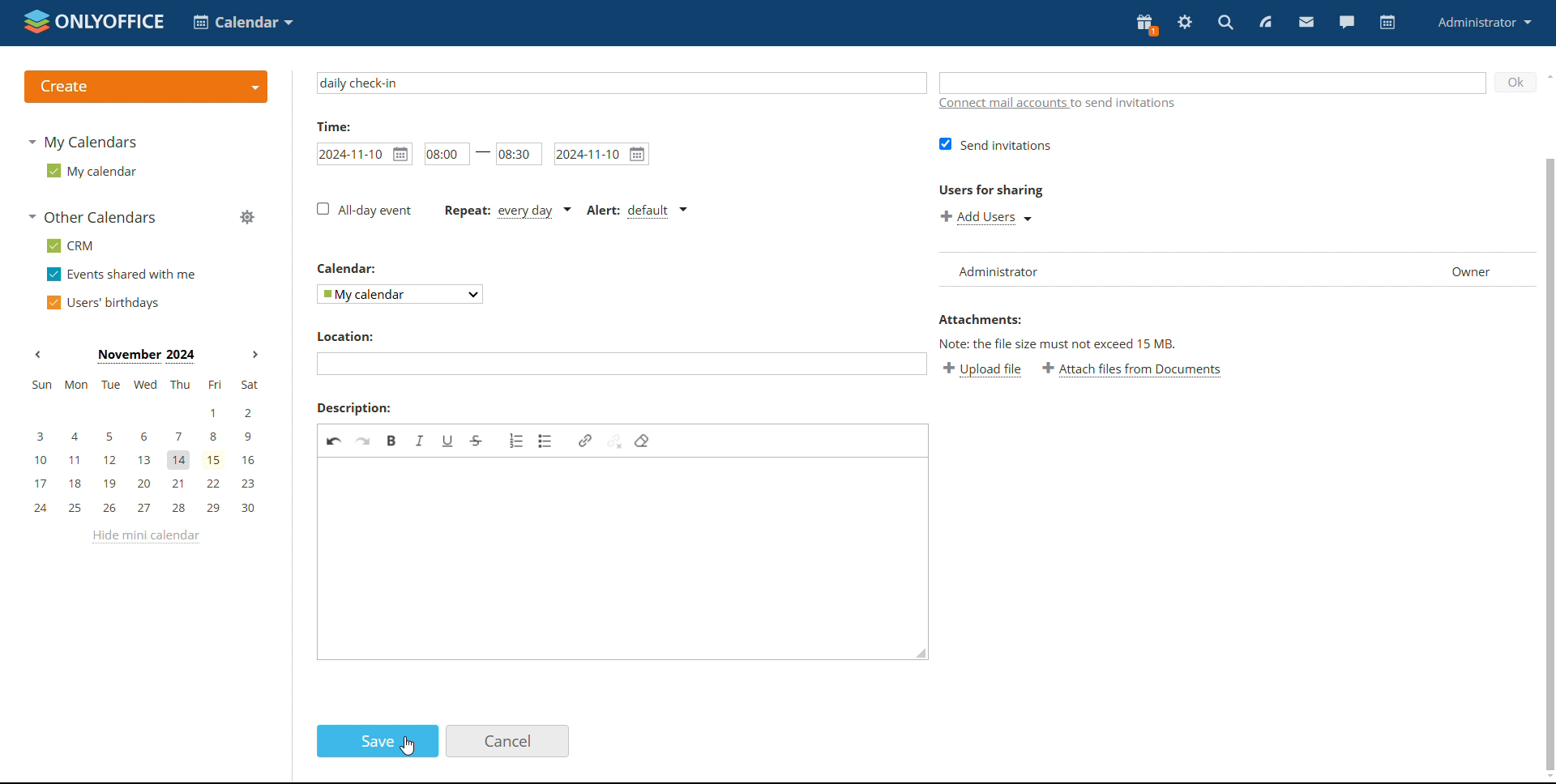 The height and width of the screenshot is (784, 1556). Describe the element at coordinates (398, 297) in the screenshot. I see `select calendar` at that location.